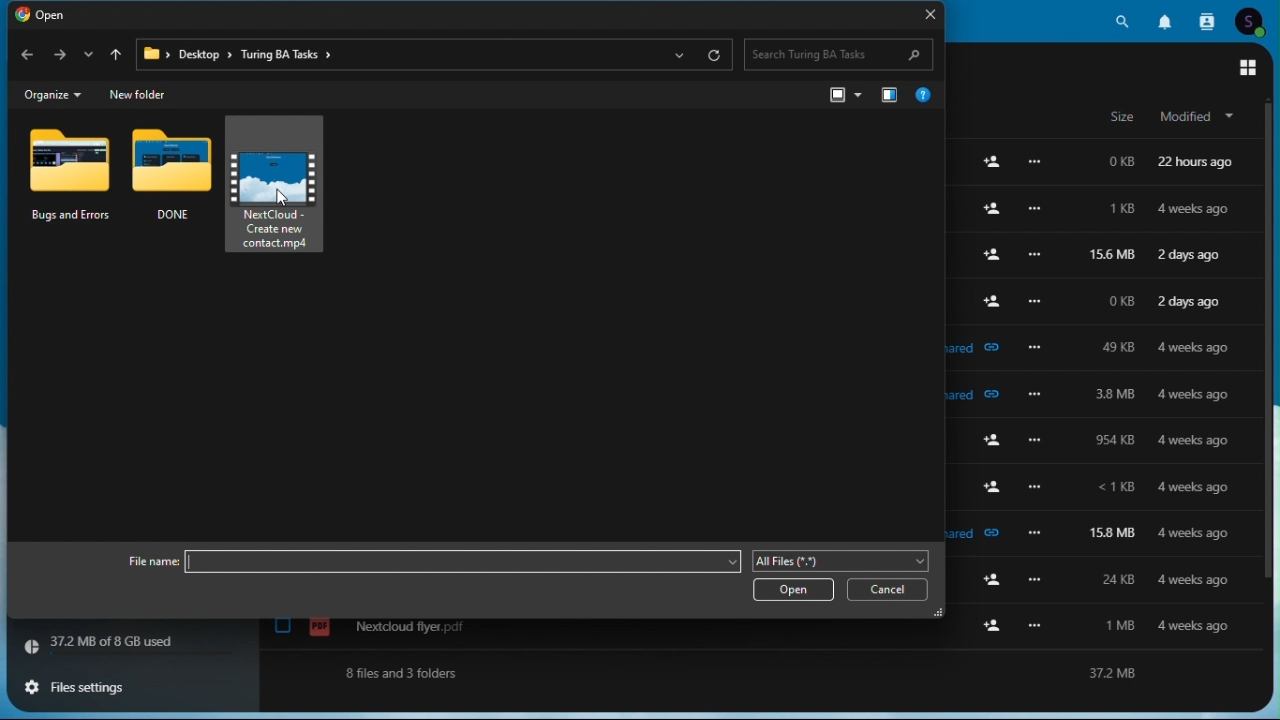 This screenshot has width=1280, height=720. I want to click on more options, so click(1036, 581).